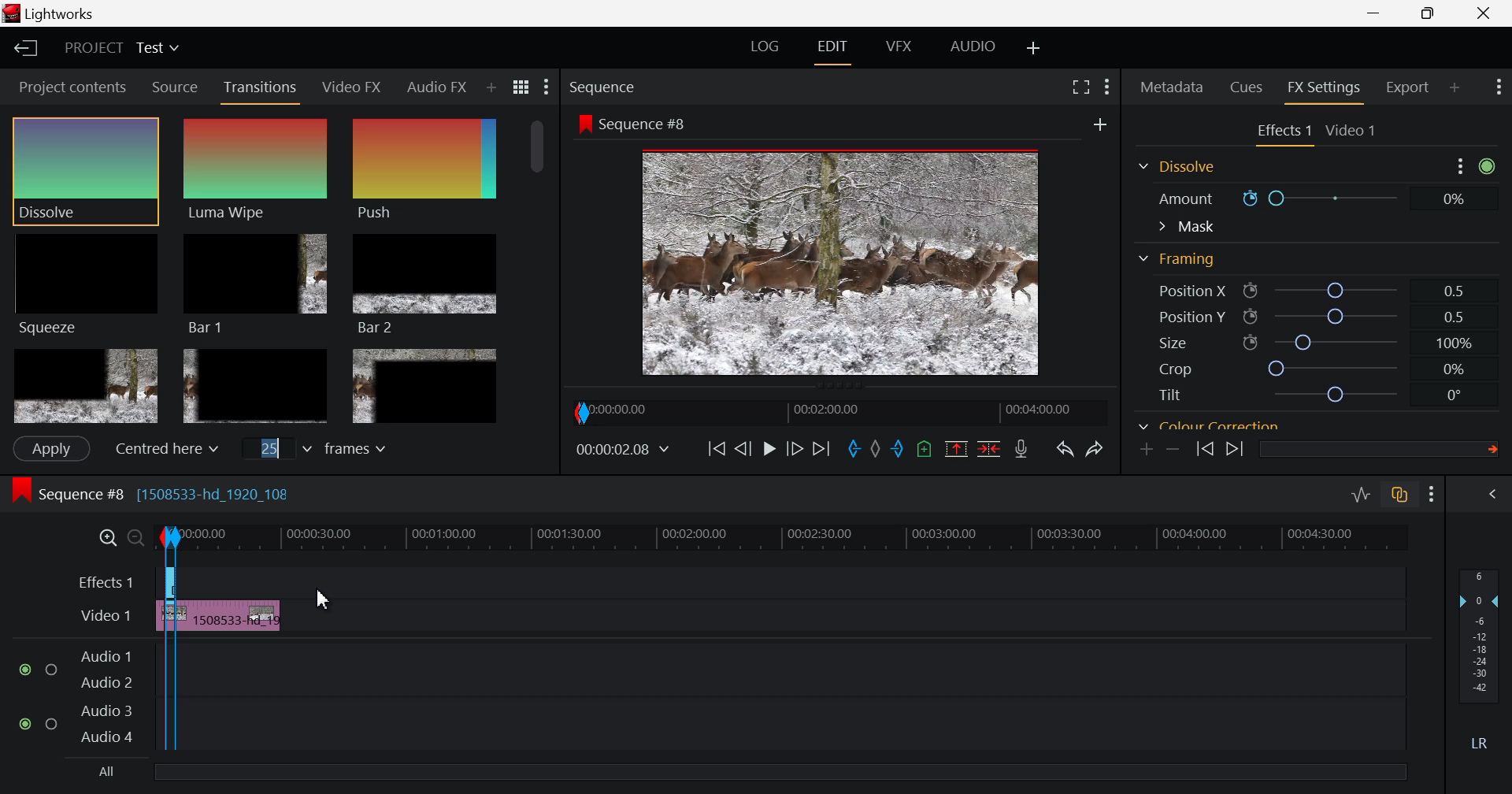  What do you see at coordinates (261, 174) in the screenshot?
I see `Dissolve Effect` at bounding box center [261, 174].